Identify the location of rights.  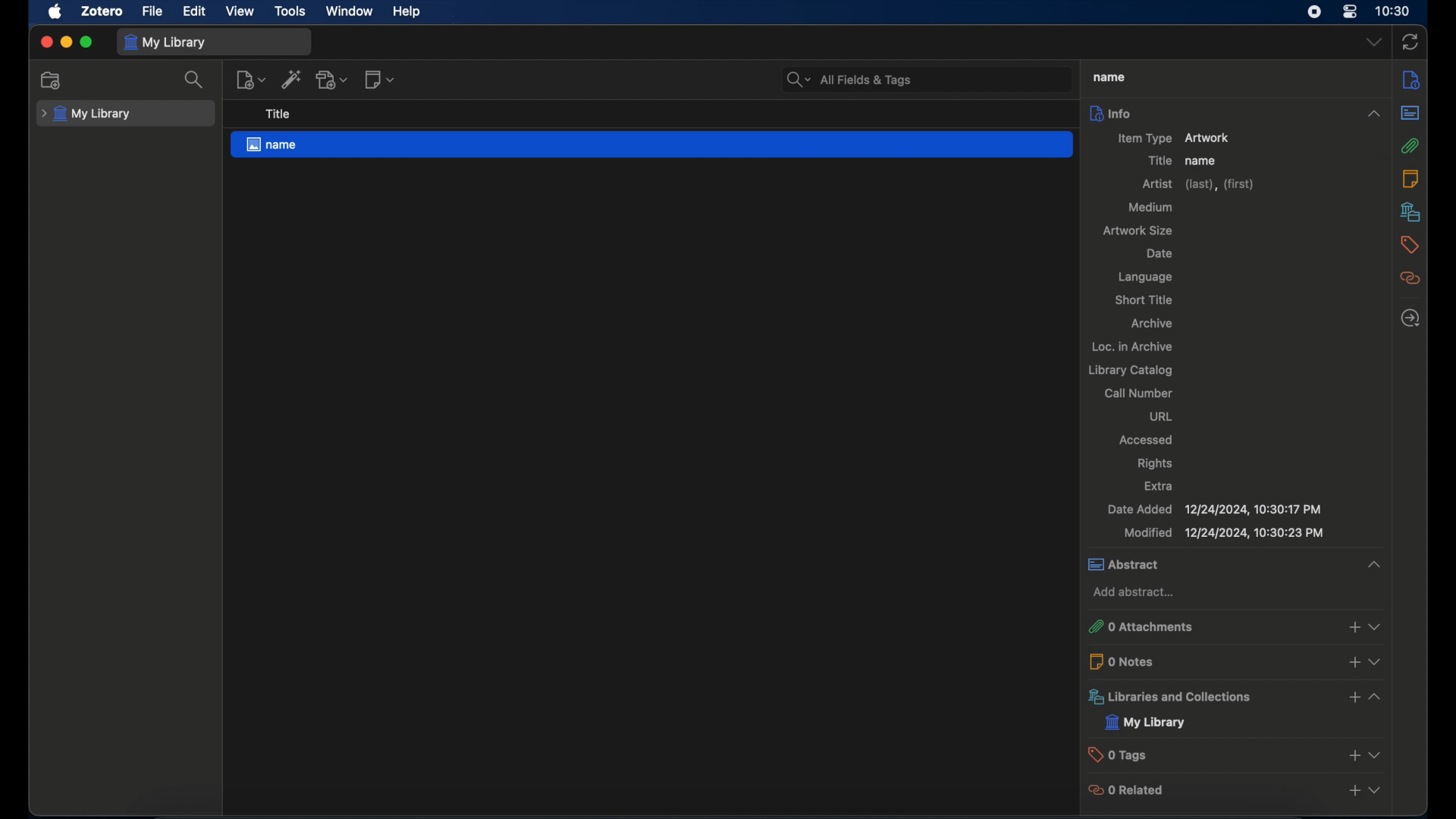
(1155, 464).